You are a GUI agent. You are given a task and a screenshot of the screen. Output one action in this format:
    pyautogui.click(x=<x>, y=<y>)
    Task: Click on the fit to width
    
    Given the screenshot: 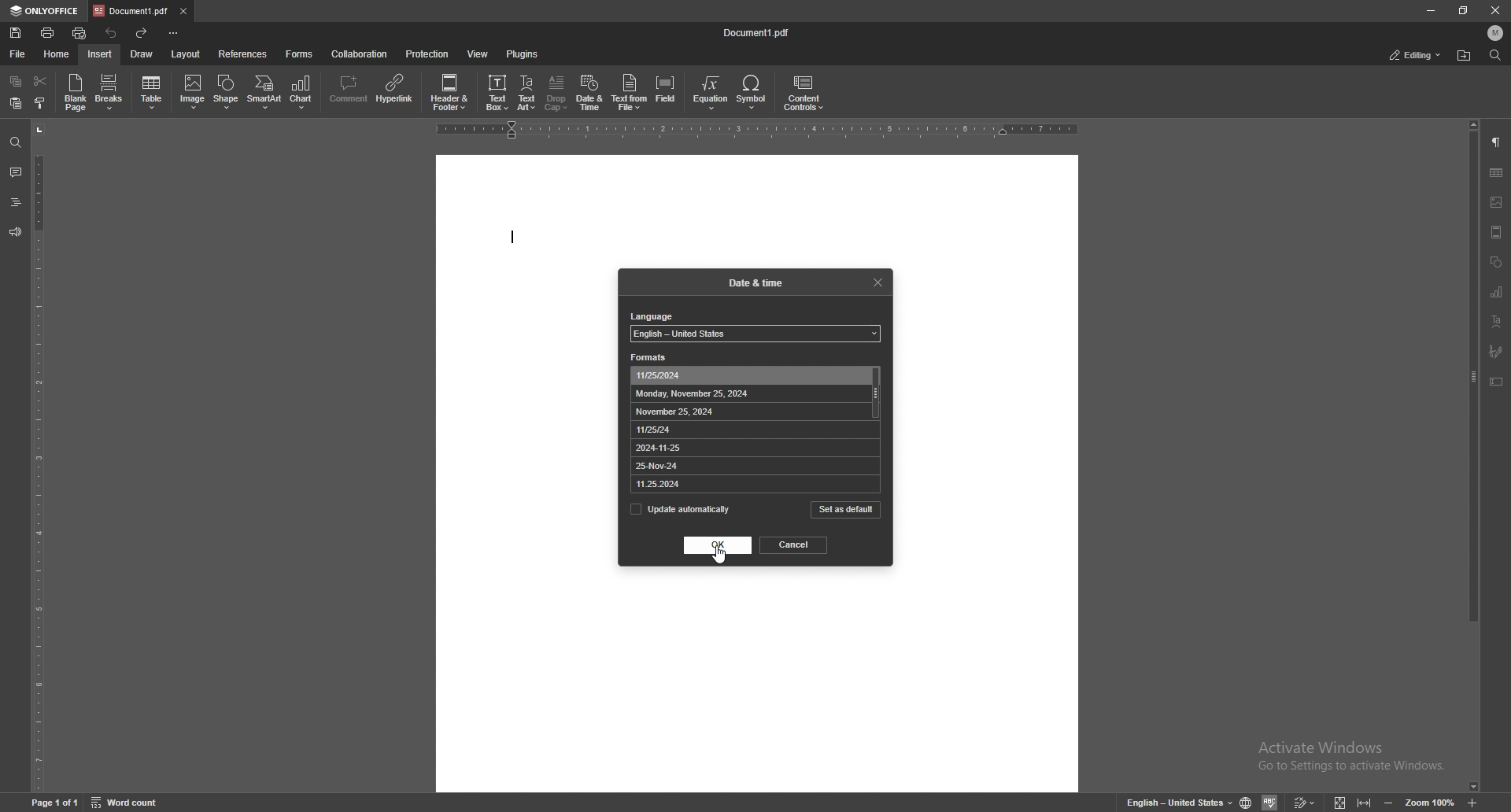 What is the action you would take?
    pyautogui.click(x=1365, y=802)
    